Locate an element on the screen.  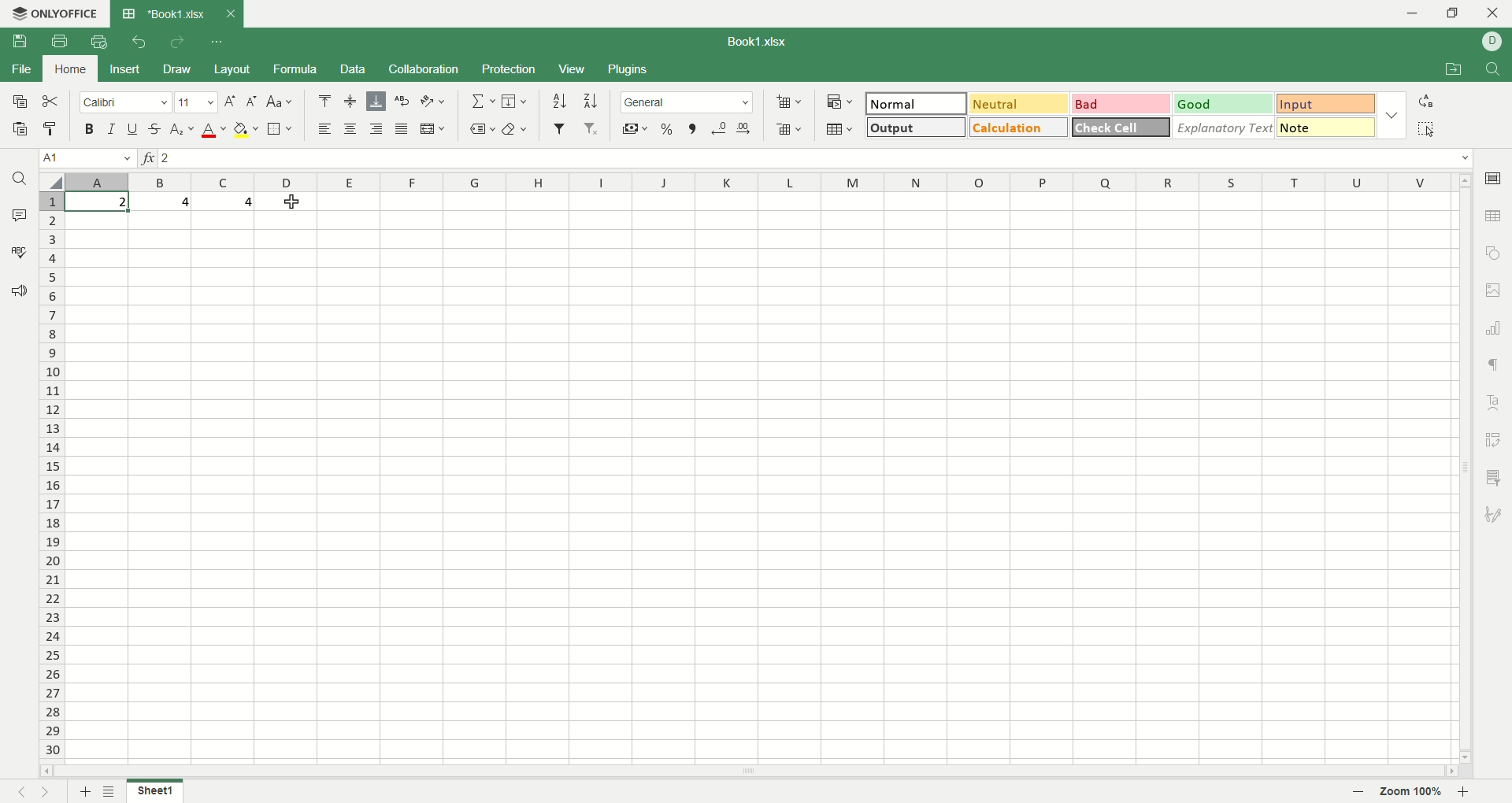
select all is located at coordinates (1426, 128).